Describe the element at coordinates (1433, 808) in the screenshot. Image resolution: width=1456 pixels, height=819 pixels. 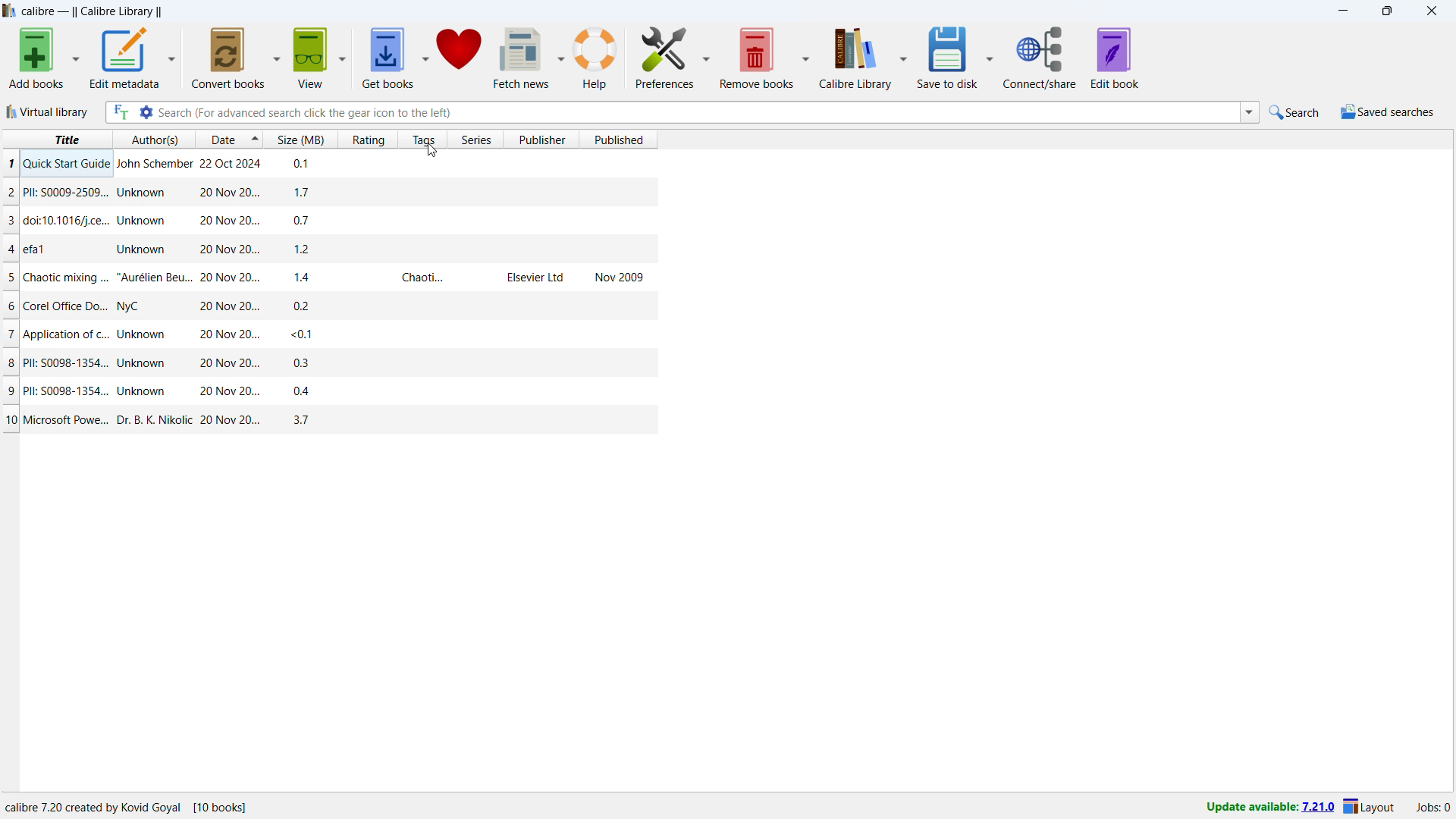
I see `active jobs` at that location.